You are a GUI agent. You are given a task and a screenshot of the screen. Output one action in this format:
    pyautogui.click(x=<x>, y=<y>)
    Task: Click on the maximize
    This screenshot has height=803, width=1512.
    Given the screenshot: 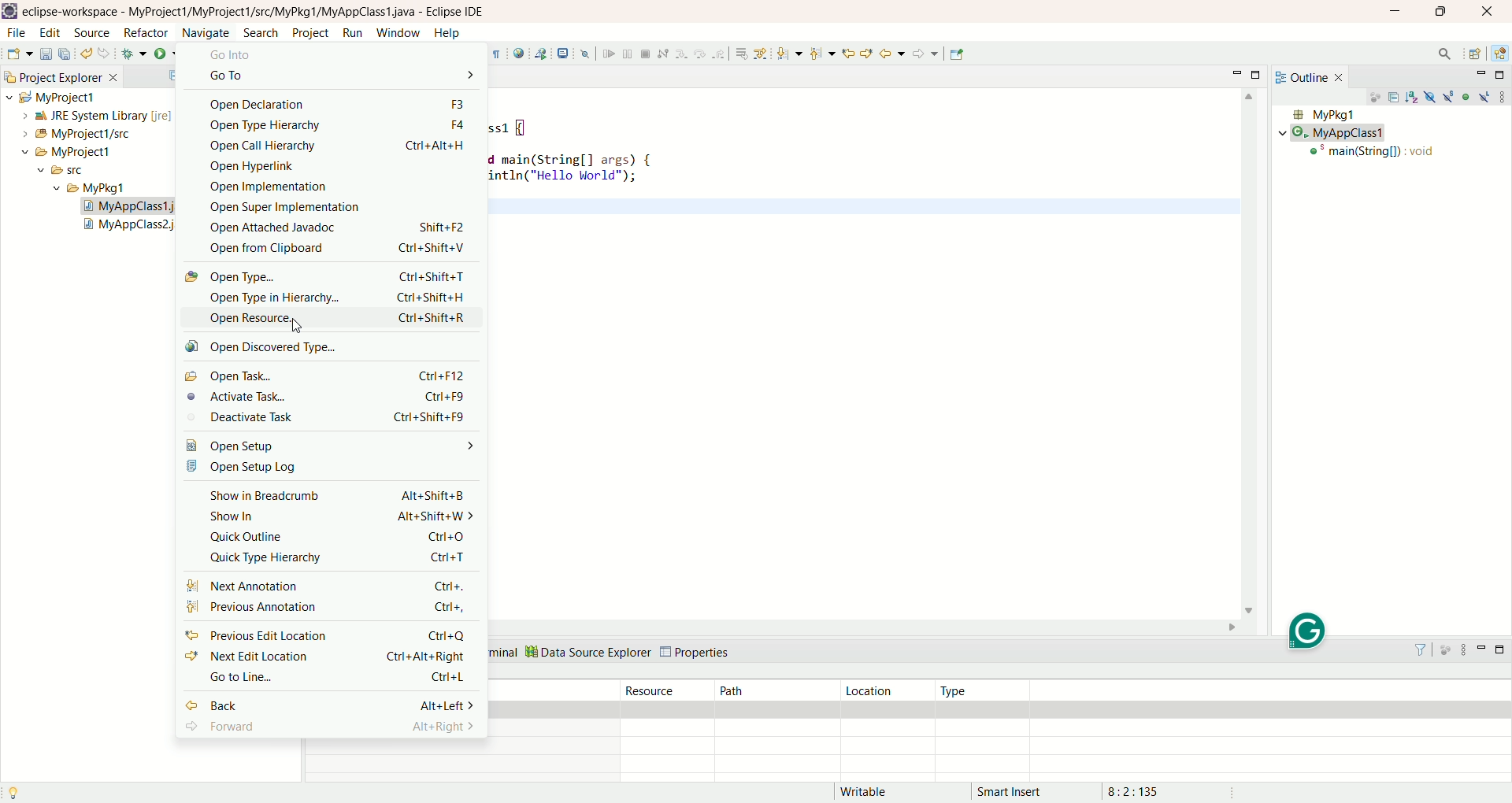 What is the action you would take?
    pyautogui.click(x=1502, y=75)
    